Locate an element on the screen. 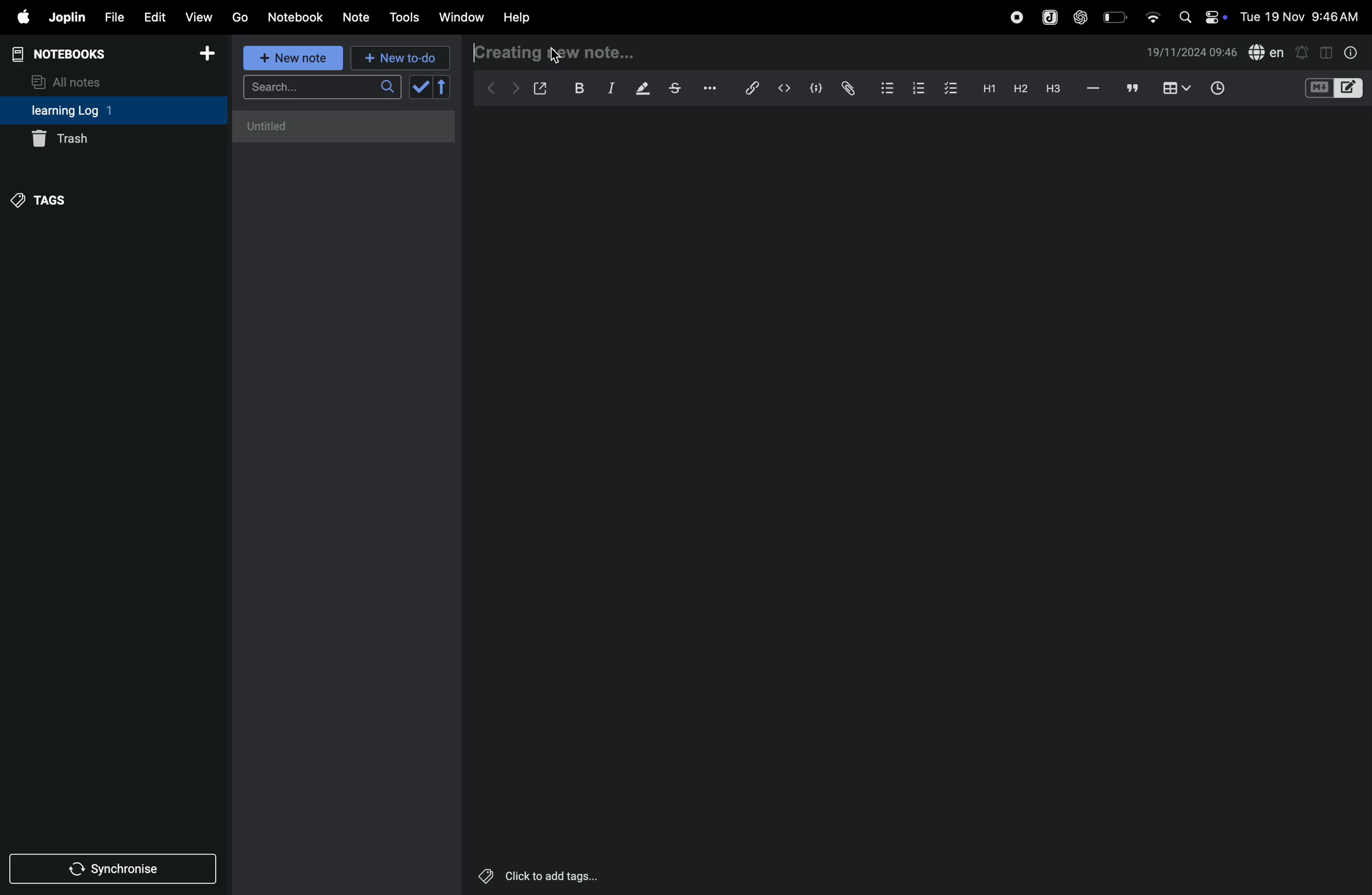 The height and width of the screenshot is (895, 1372). hifen is located at coordinates (1094, 89).